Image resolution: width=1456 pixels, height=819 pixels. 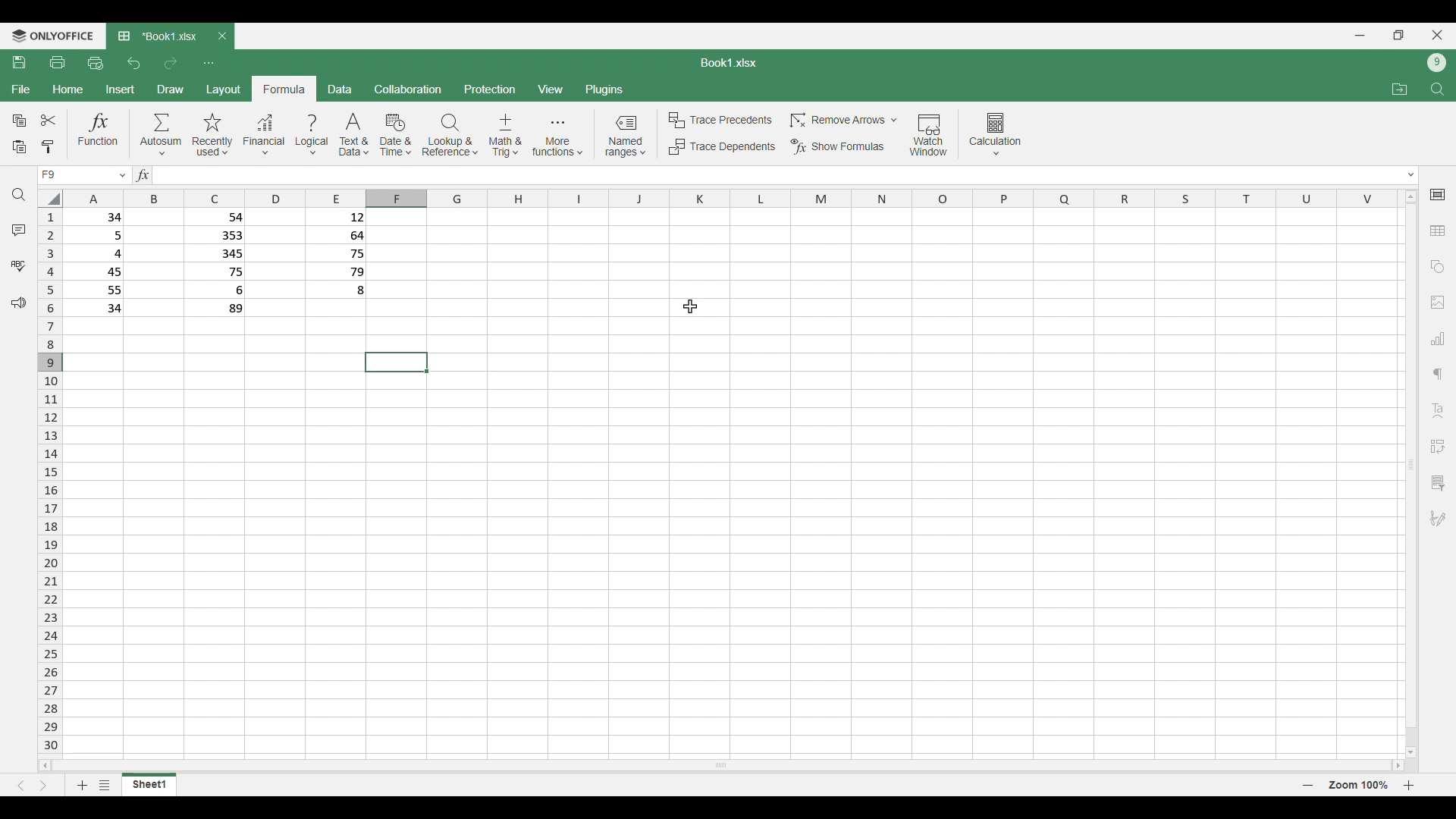 What do you see at coordinates (67, 89) in the screenshot?
I see `Home menu` at bounding box center [67, 89].